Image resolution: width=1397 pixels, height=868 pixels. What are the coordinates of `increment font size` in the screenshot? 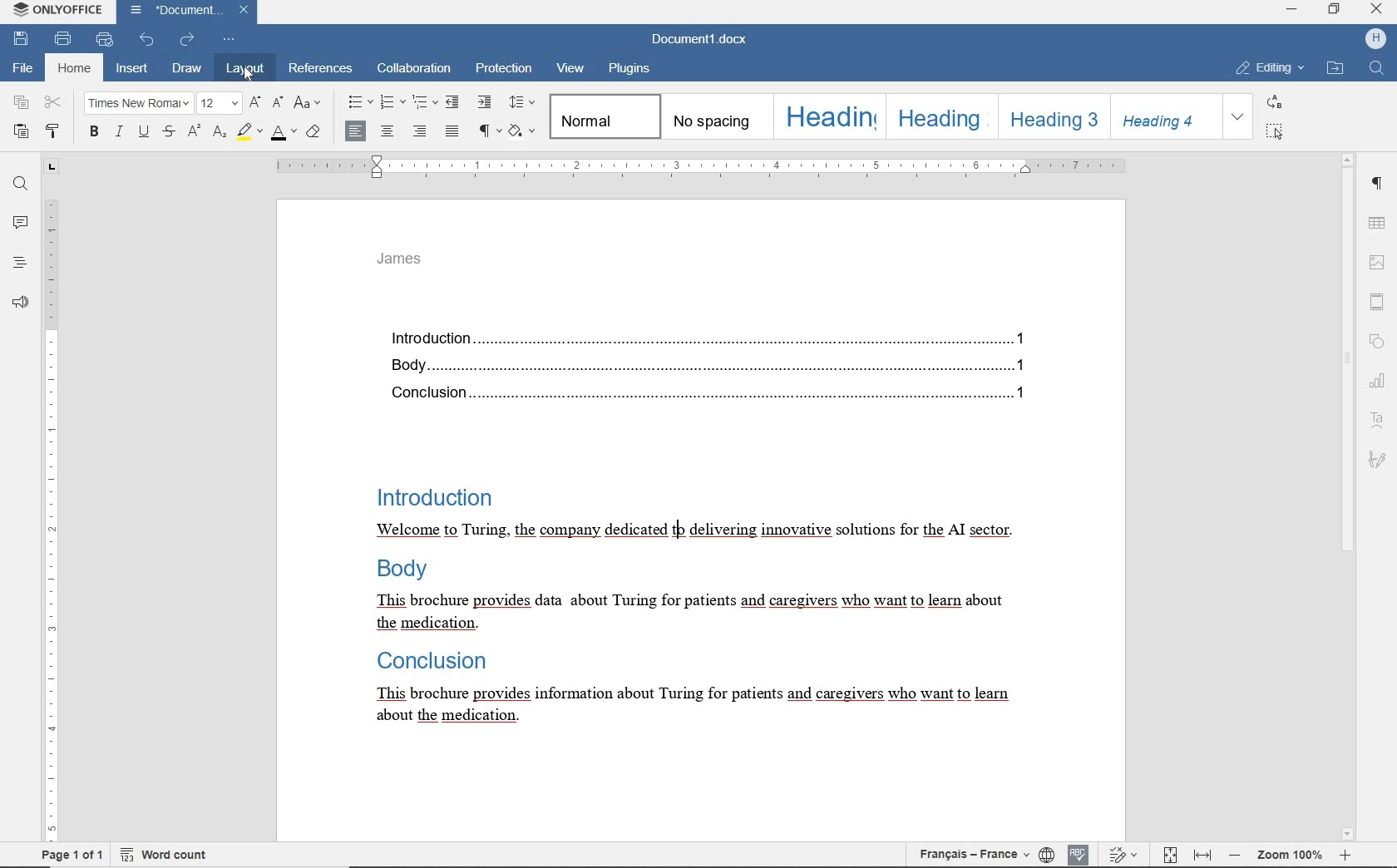 It's located at (256, 102).